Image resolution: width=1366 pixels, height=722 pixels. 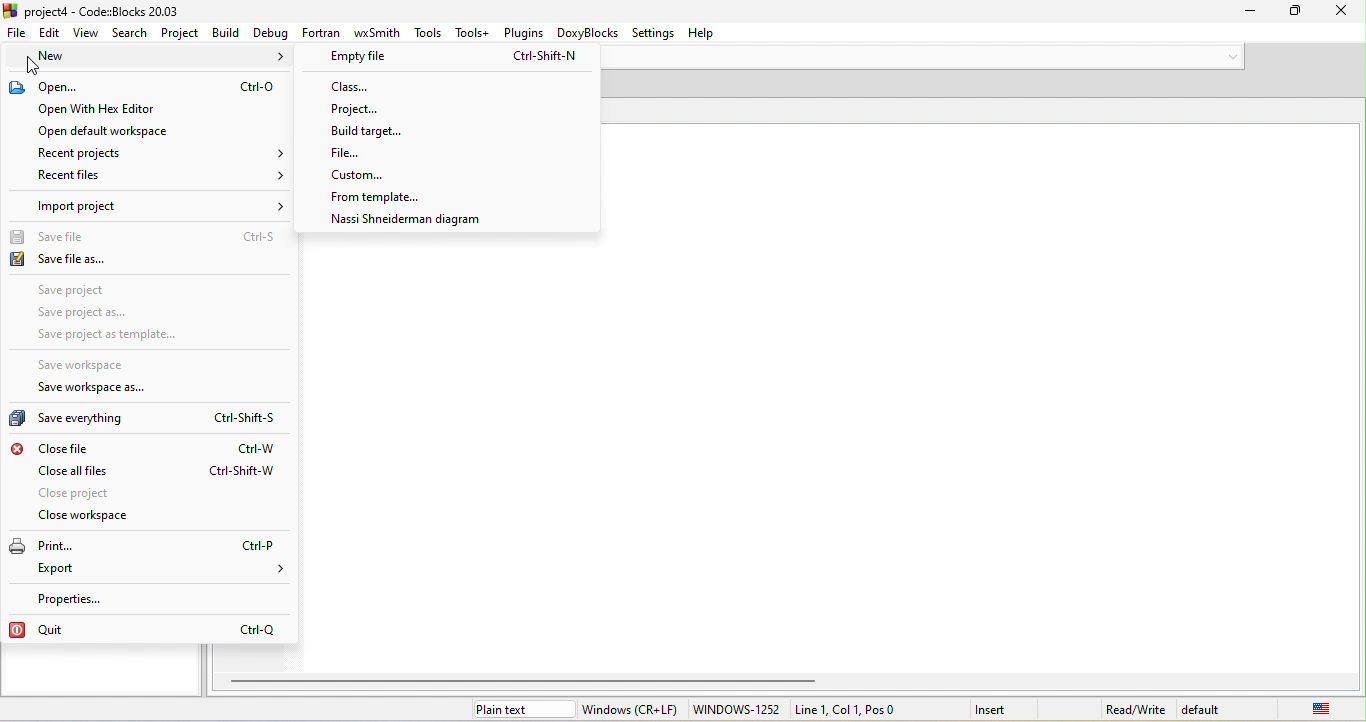 I want to click on edit, so click(x=51, y=34).